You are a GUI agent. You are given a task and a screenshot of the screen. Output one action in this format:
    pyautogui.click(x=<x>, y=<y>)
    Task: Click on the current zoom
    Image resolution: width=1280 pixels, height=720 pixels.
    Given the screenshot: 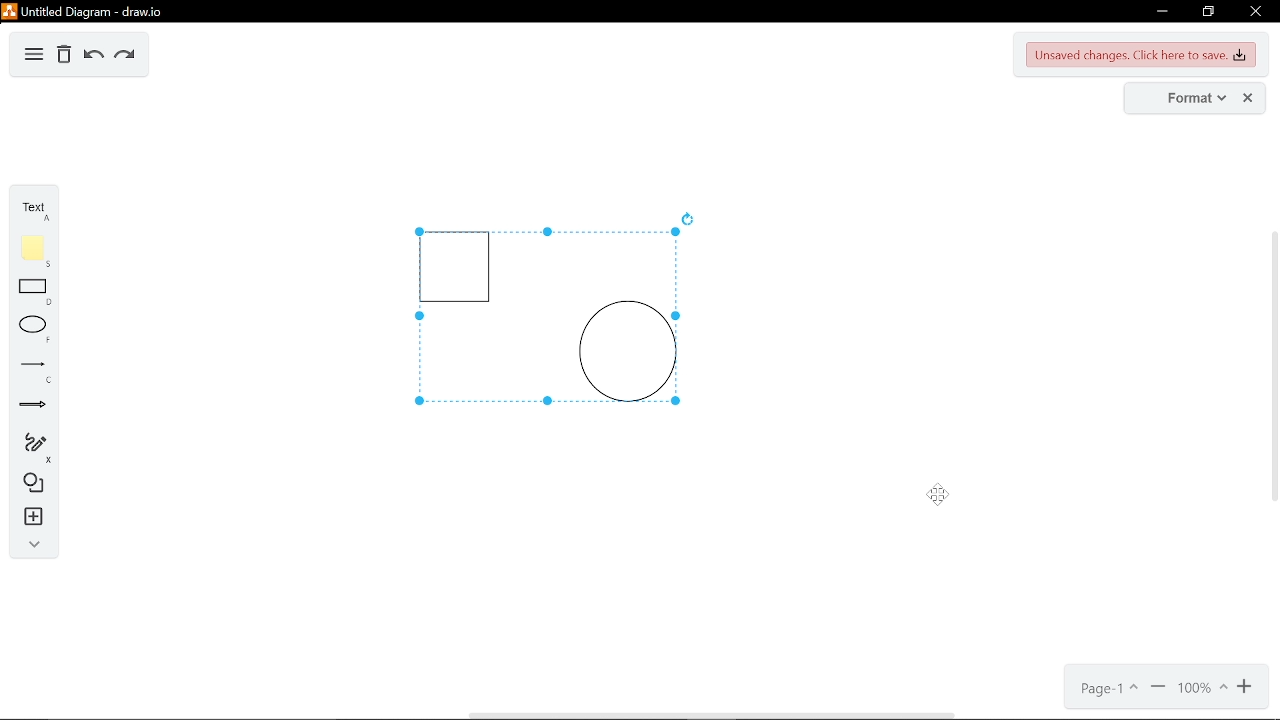 What is the action you would take?
    pyautogui.click(x=1201, y=689)
    